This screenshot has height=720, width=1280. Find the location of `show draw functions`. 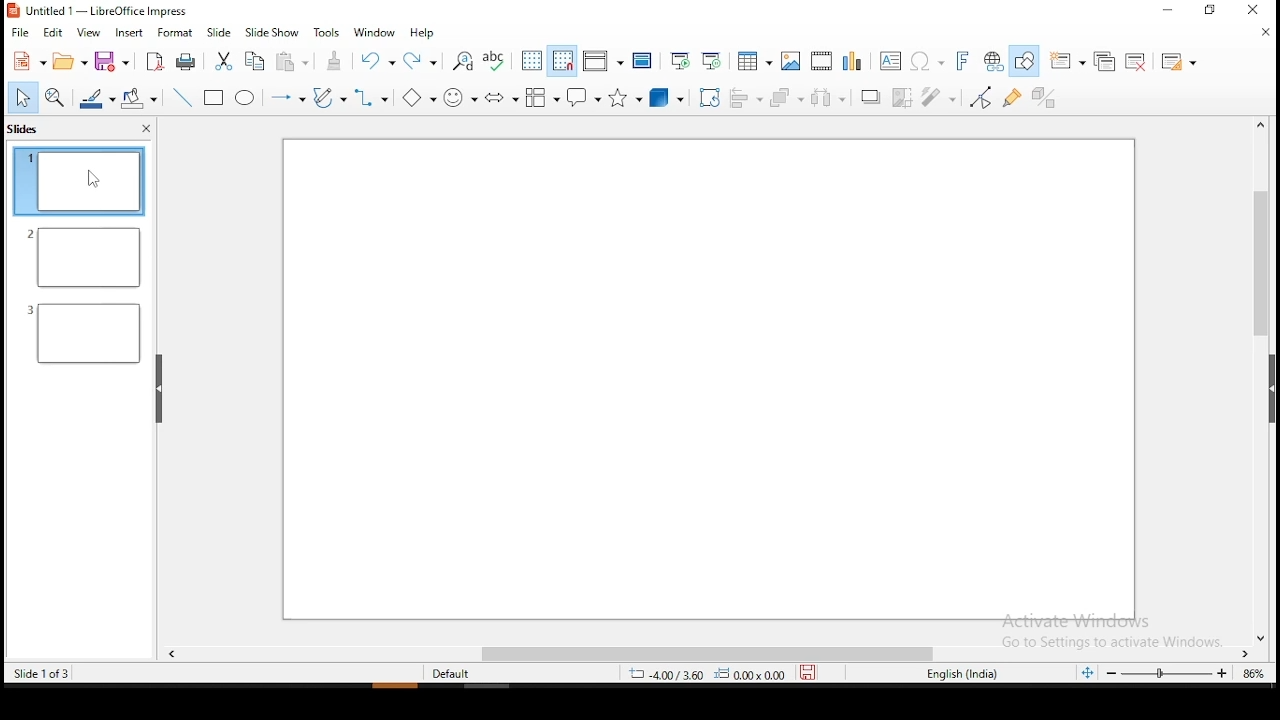

show draw functions is located at coordinates (1024, 61).